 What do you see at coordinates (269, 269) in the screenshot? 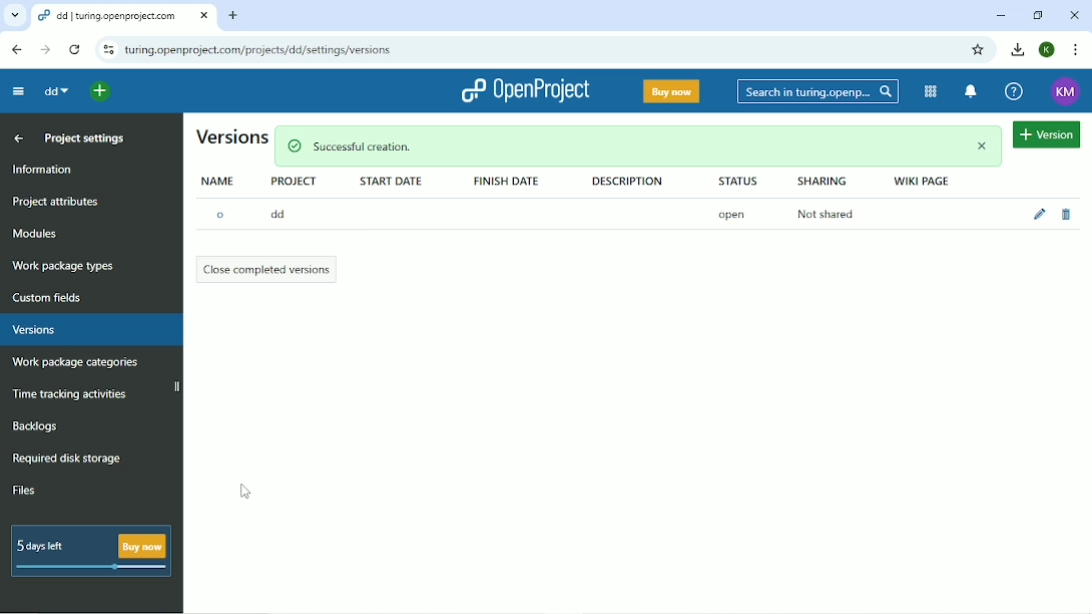
I see `Close completed versions` at bounding box center [269, 269].